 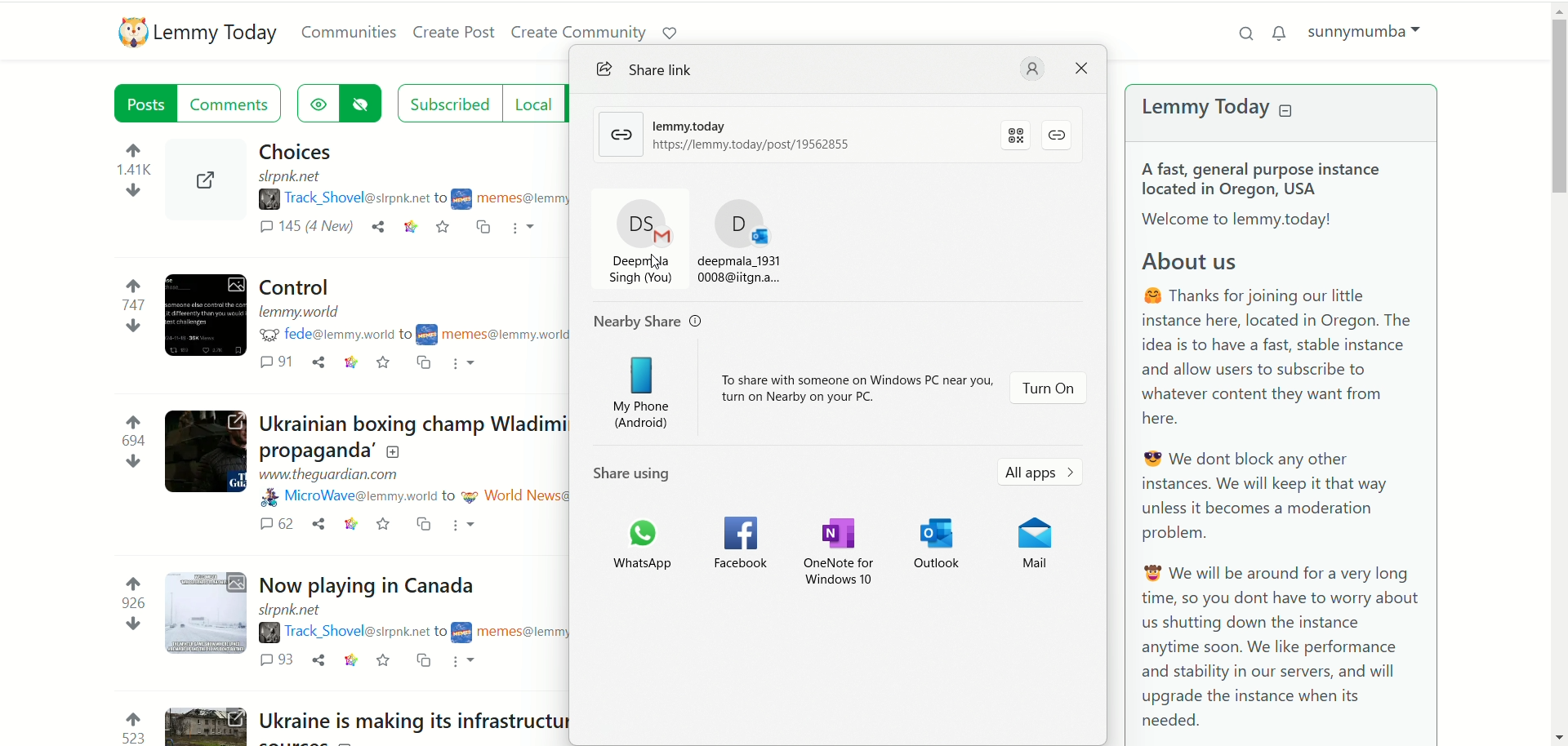 What do you see at coordinates (281, 363) in the screenshot?
I see `comments` at bounding box center [281, 363].